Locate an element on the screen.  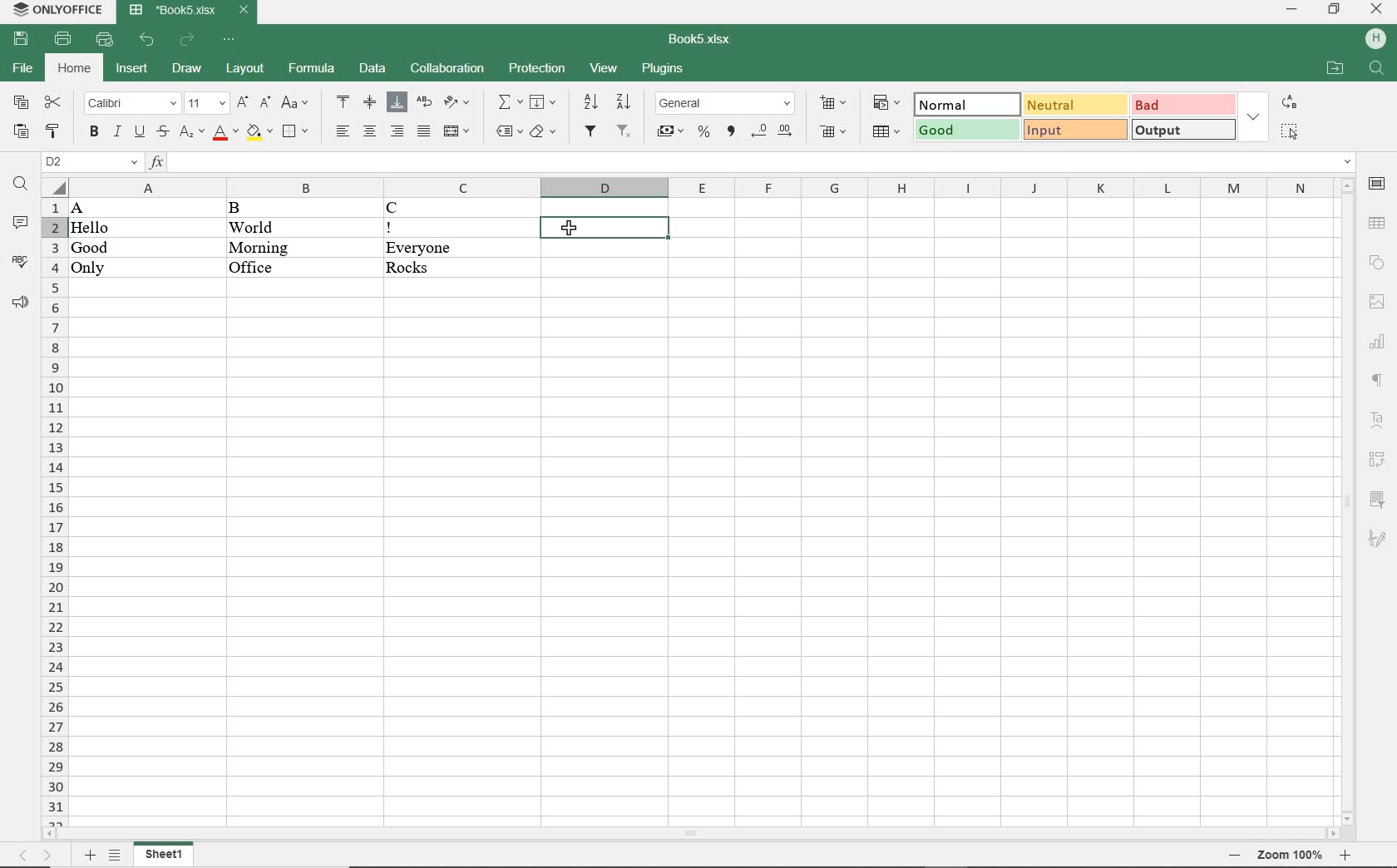
cursor is located at coordinates (569, 231).